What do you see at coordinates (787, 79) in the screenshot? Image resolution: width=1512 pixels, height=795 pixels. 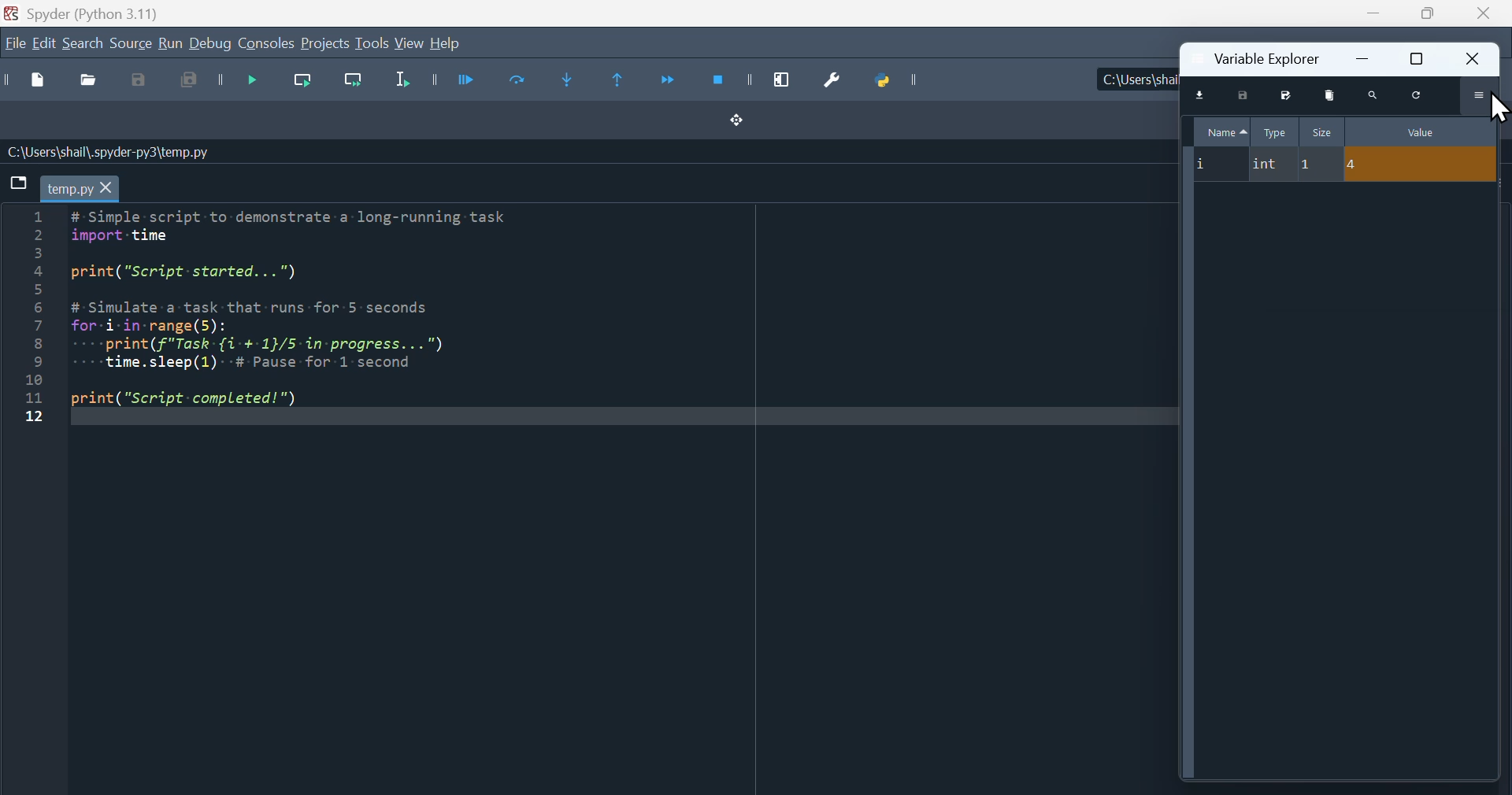 I see `Maximise current window pane` at bounding box center [787, 79].